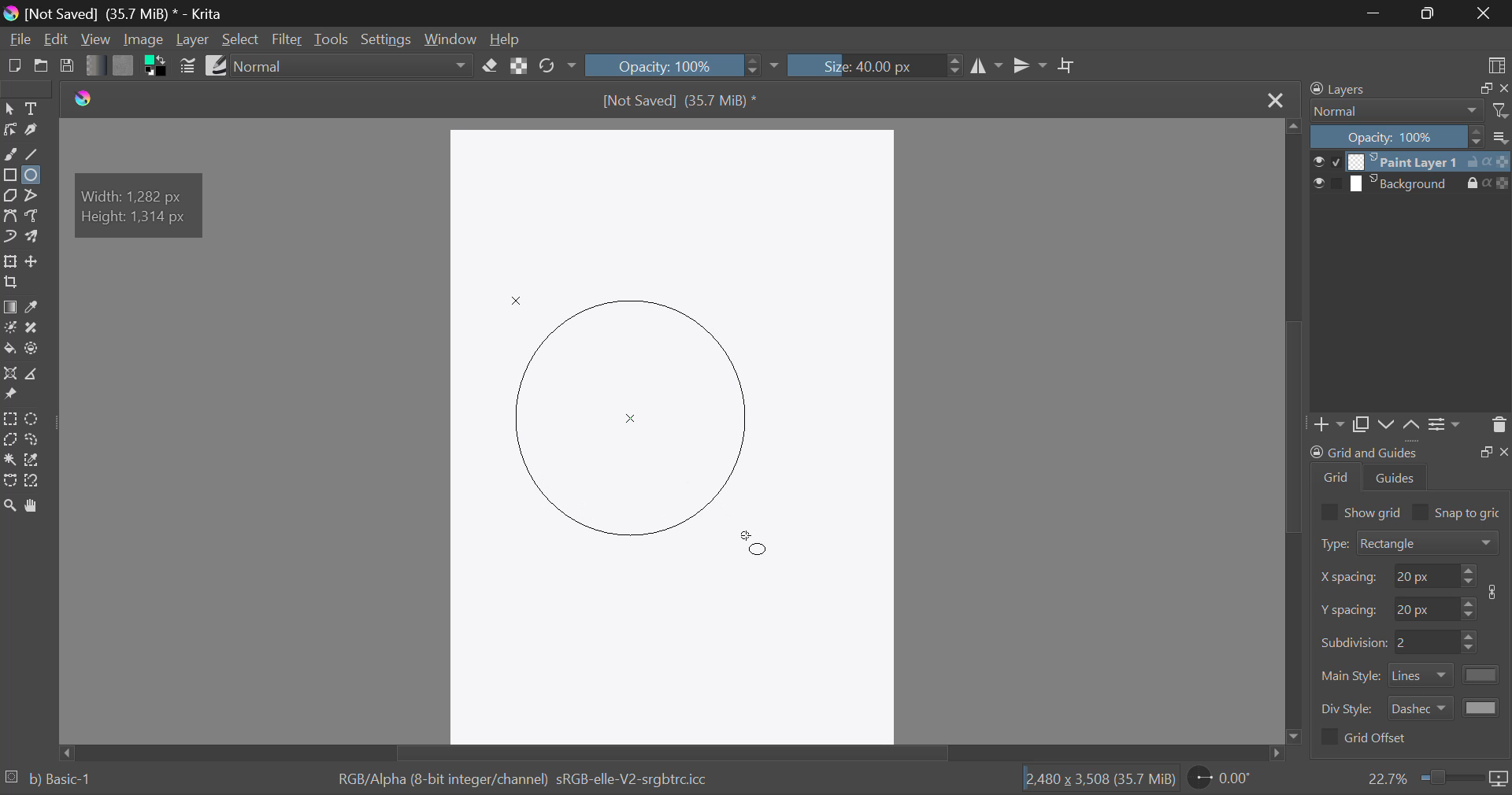  Describe the element at coordinates (9, 129) in the screenshot. I see `Edit Shapes` at that location.